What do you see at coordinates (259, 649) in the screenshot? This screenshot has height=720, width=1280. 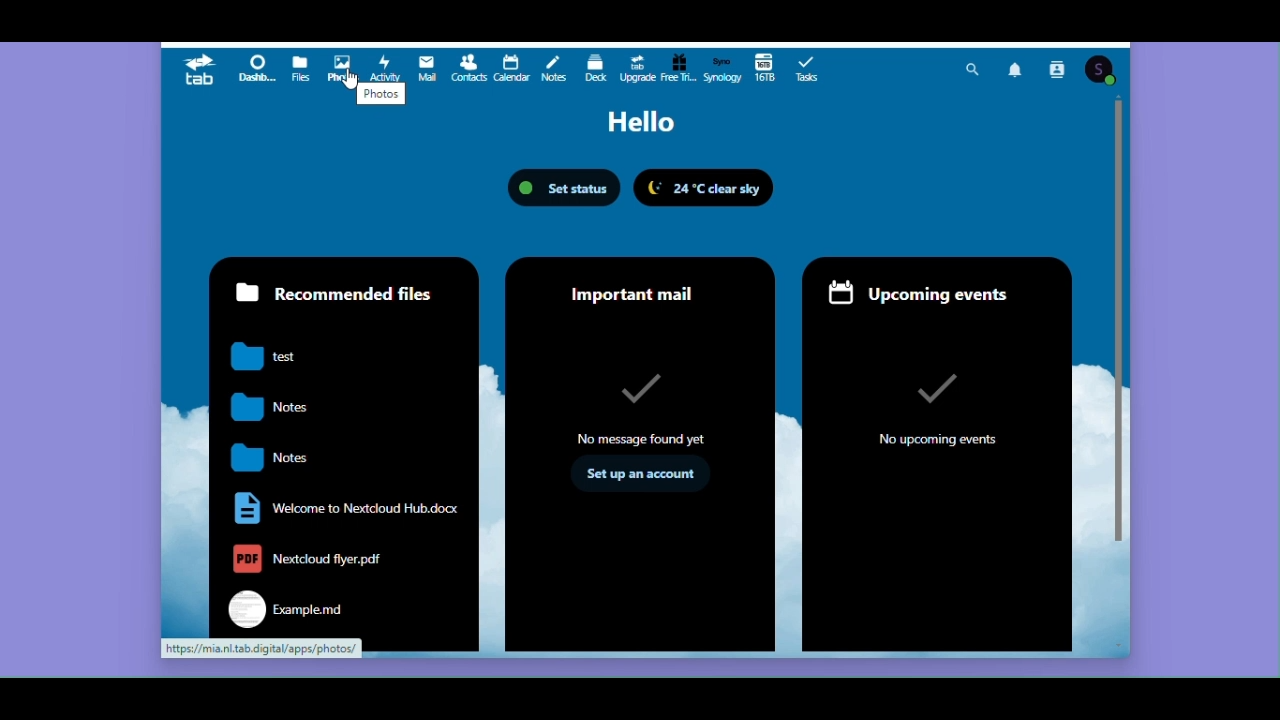 I see `URL` at bounding box center [259, 649].